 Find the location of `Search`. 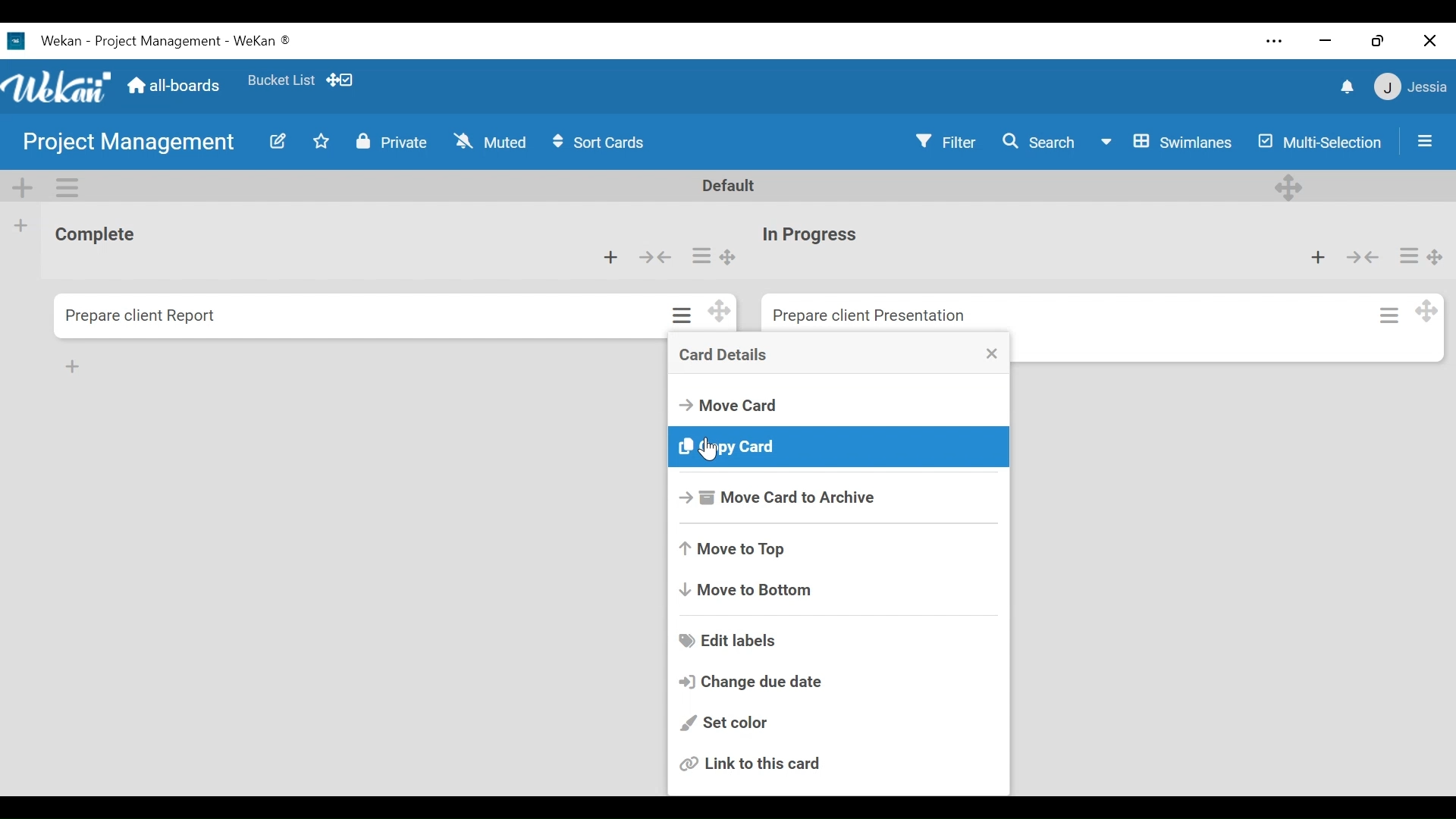

Search is located at coordinates (1041, 140).